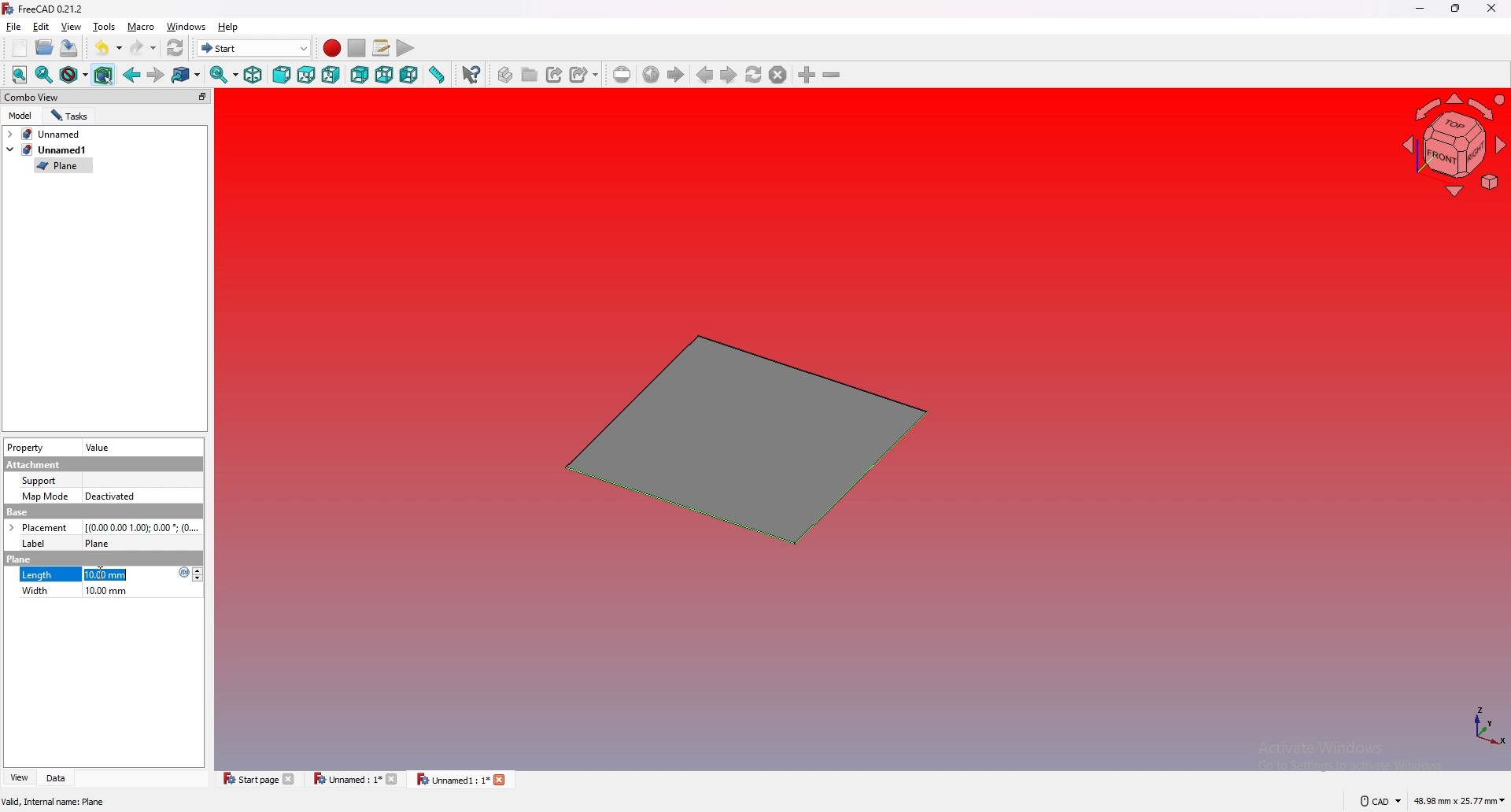 Image resolution: width=1511 pixels, height=812 pixels. Describe the element at coordinates (1461, 802) in the screenshot. I see `48.98 mm x 25.77 mm` at that location.